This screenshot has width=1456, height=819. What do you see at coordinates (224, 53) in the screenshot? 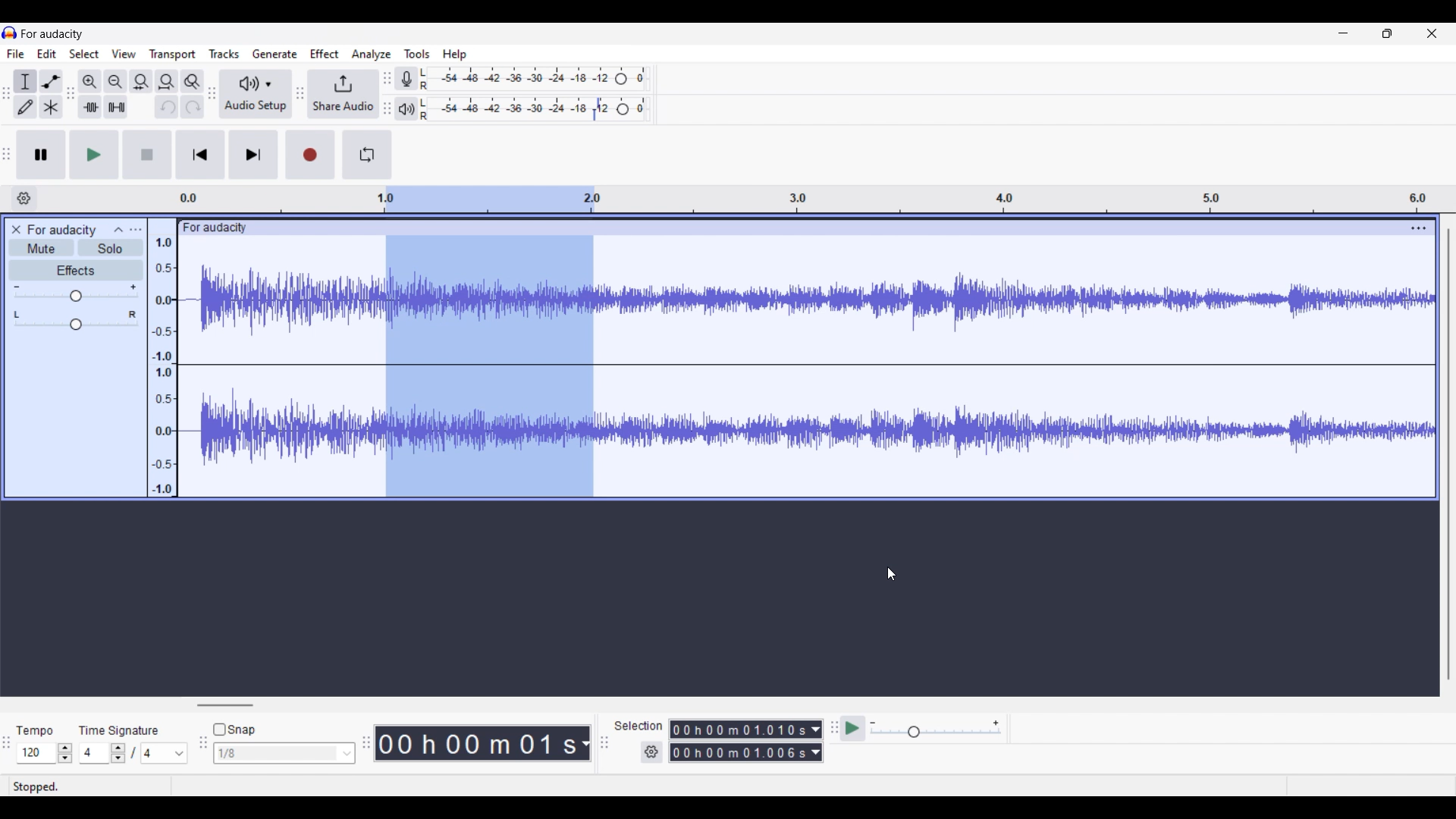
I see `Tracks menu` at bounding box center [224, 53].